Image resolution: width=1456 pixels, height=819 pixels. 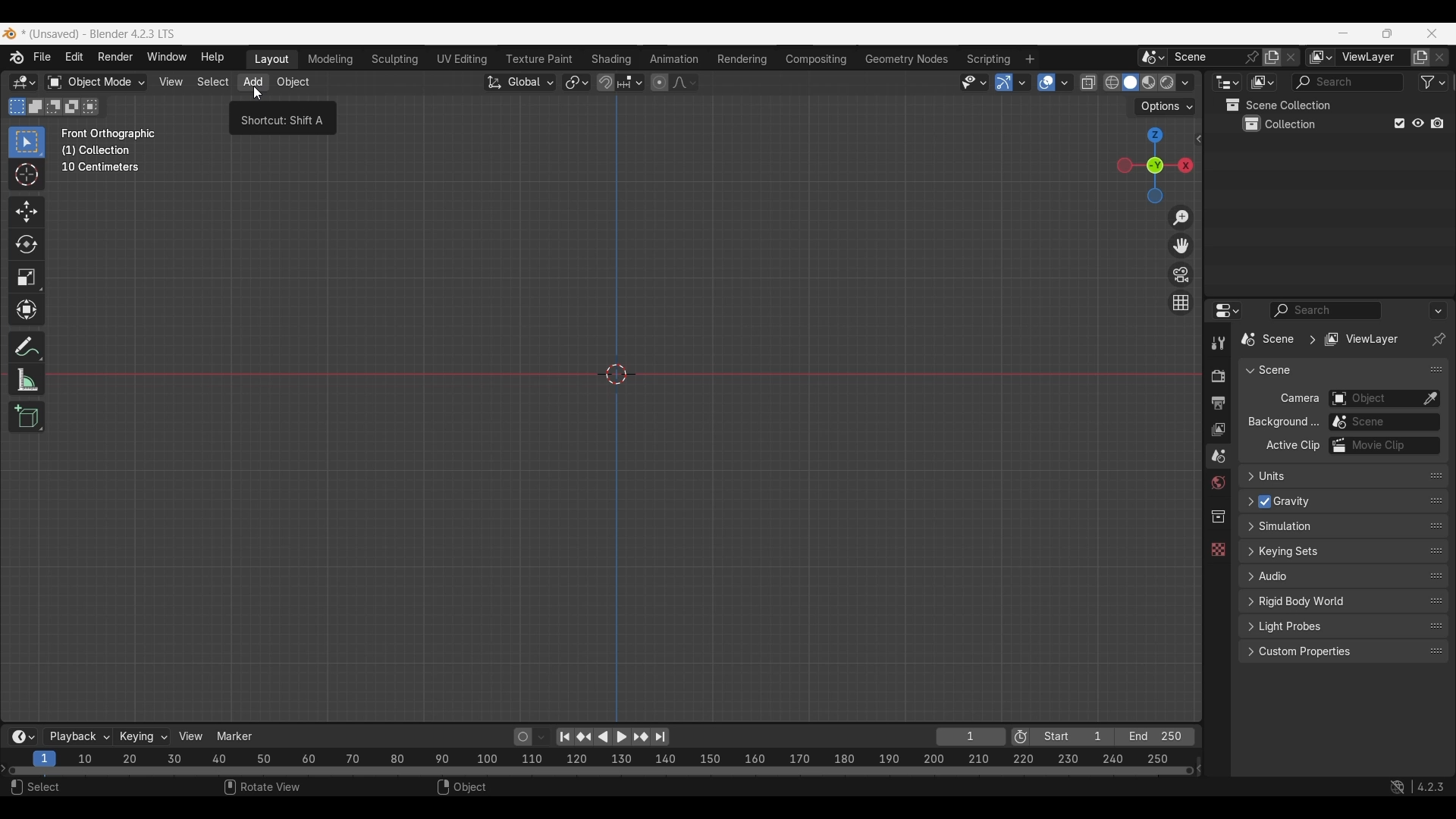 I want to click on Disable in renders, so click(x=1437, y=123).